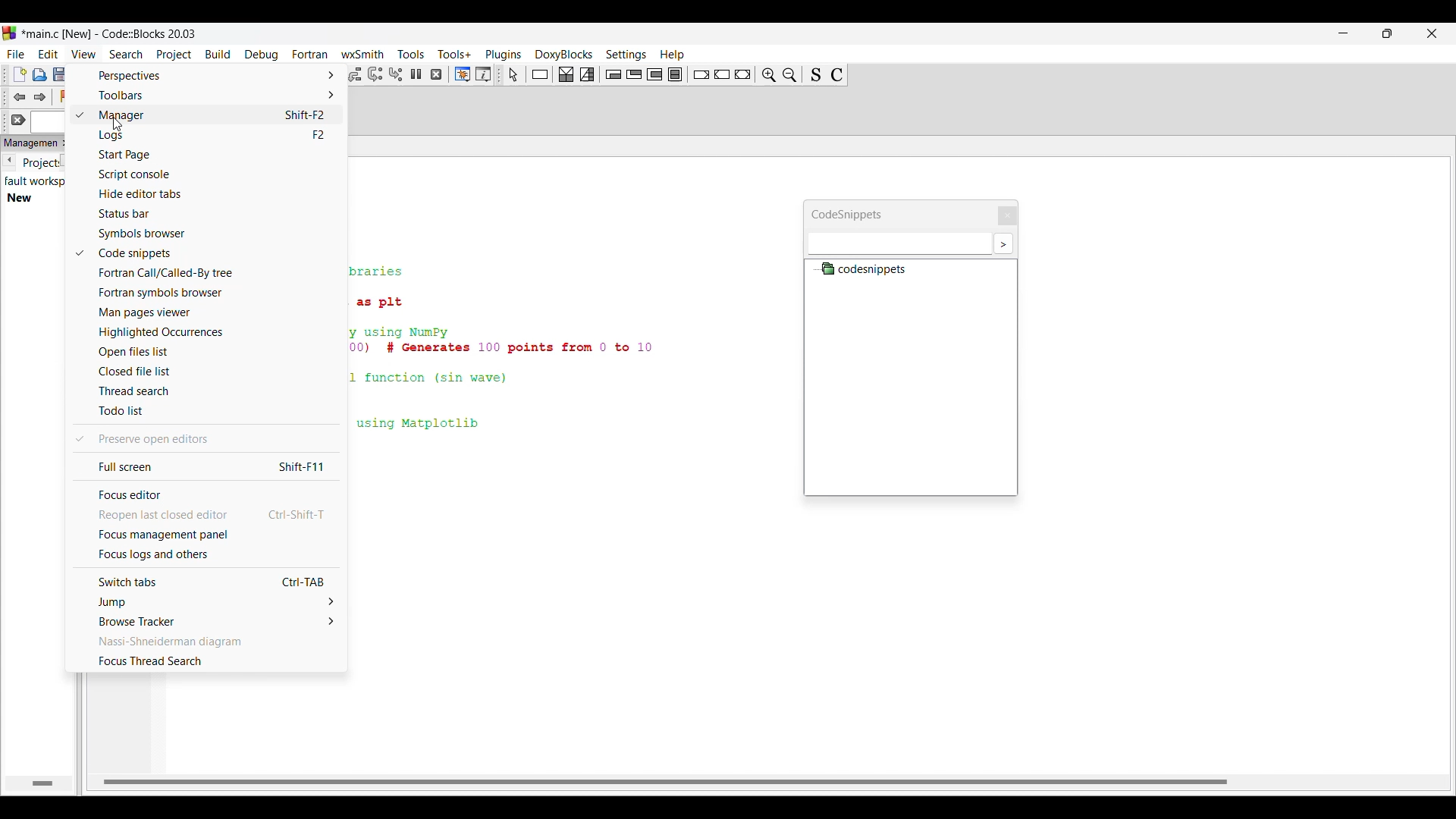 Image resolution: width=1456 pixels, height=819 pixels. Describe the element at coordinates (768, 74) in the screenshot. I see `Zoom out` at that location.